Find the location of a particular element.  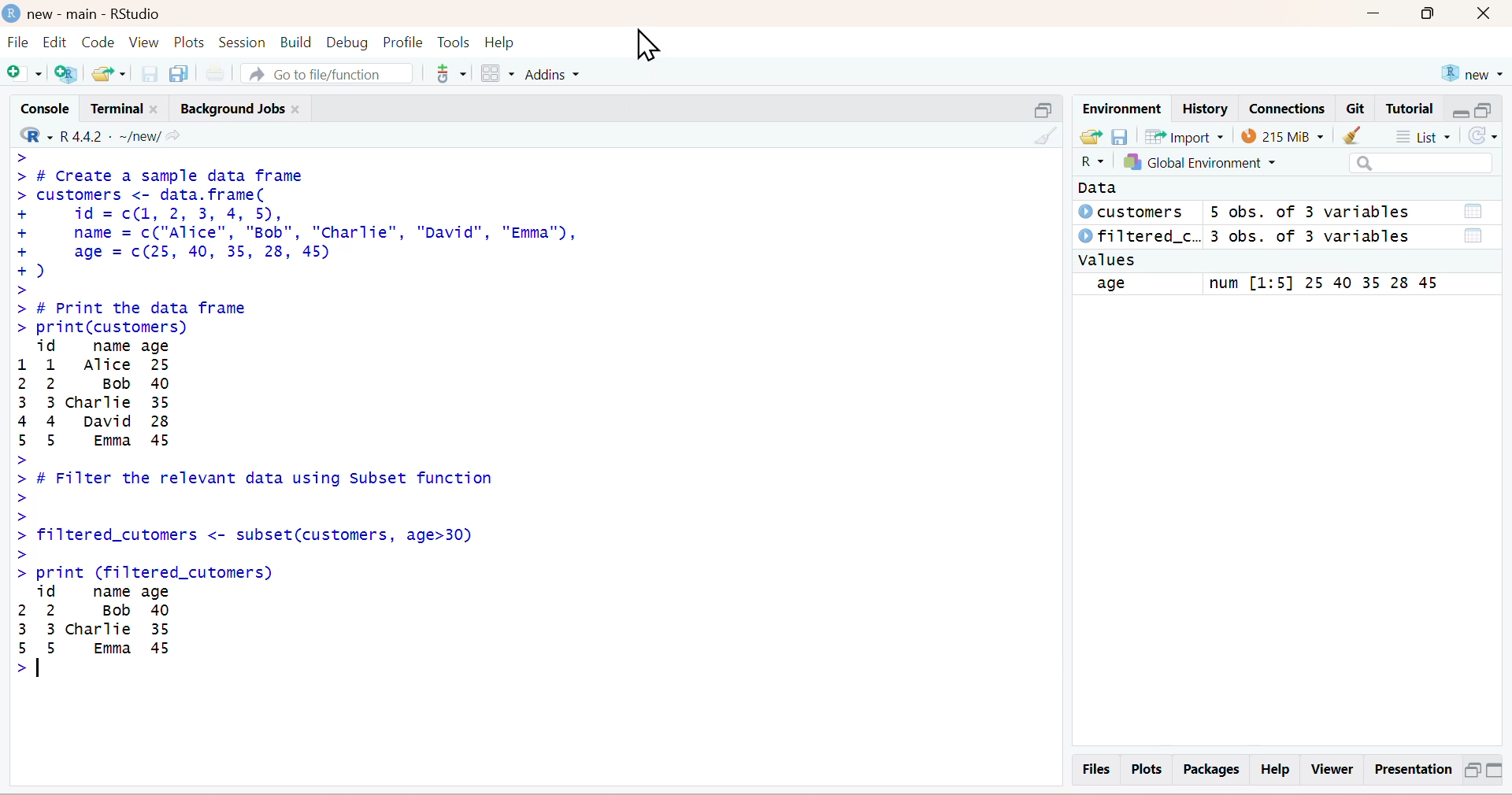

id name age
2 2 Bob 40
3 3 charlie 35
5 5 Emma 45
>| is located at coordinates (107, 635).